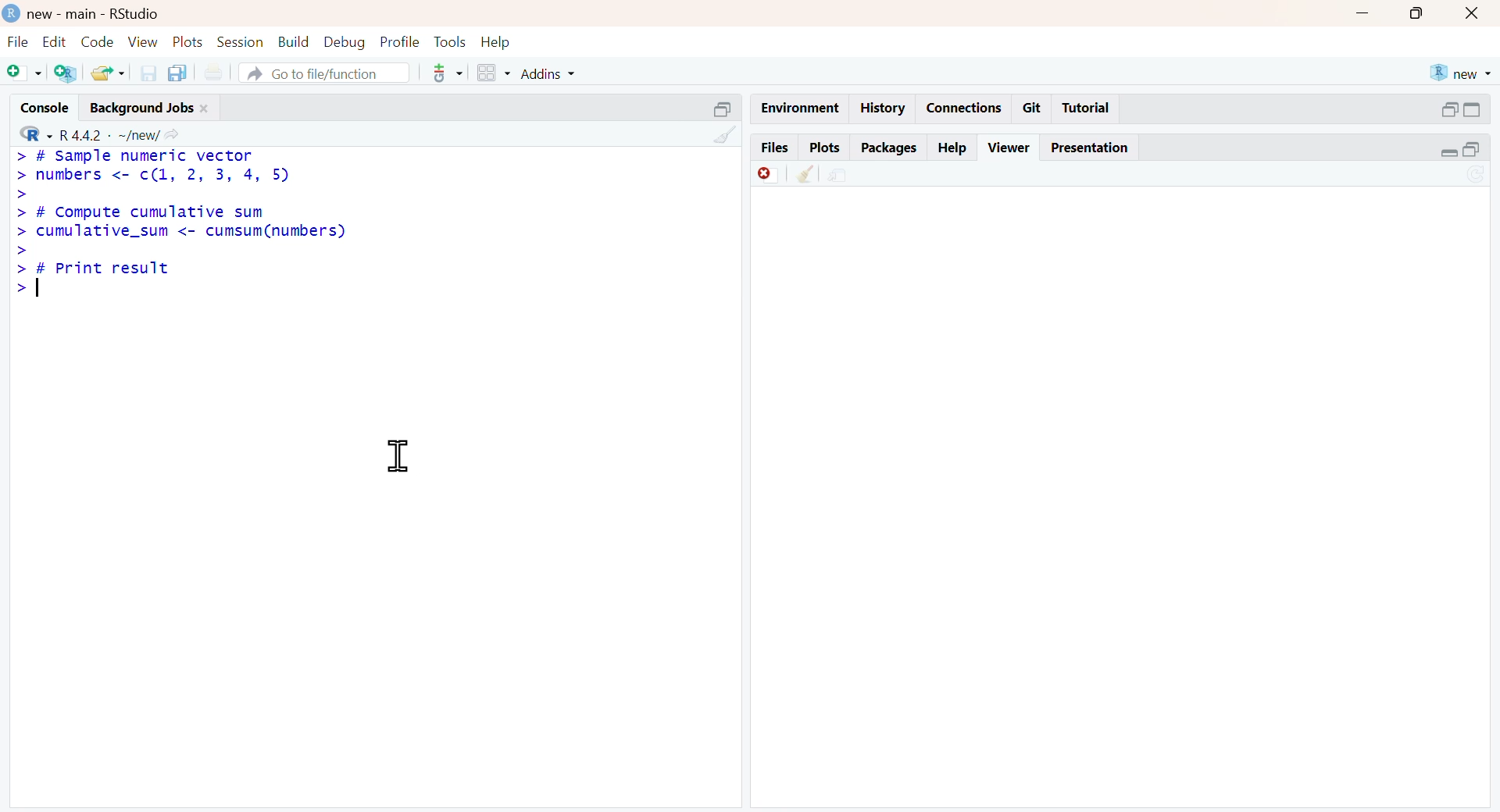 The height and width of the screenshot is (812, 1500). What do you see at coordinates (95, 15) in the screenshot?
I see `new - main - RStudio` at bounding box center [95, 15].